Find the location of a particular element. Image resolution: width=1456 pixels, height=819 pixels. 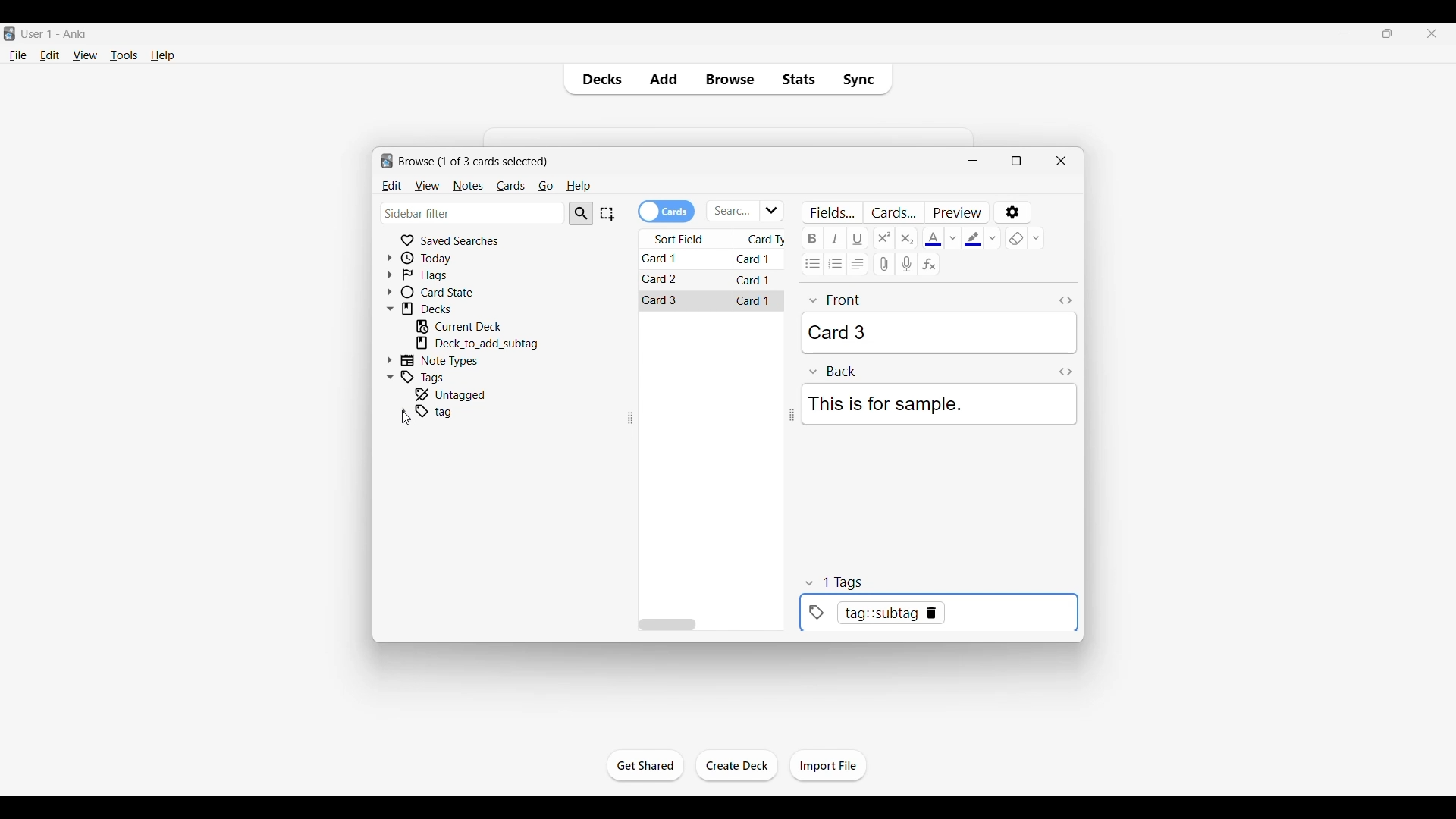

Horizontal slide bar is located at coordinates (667, 625).